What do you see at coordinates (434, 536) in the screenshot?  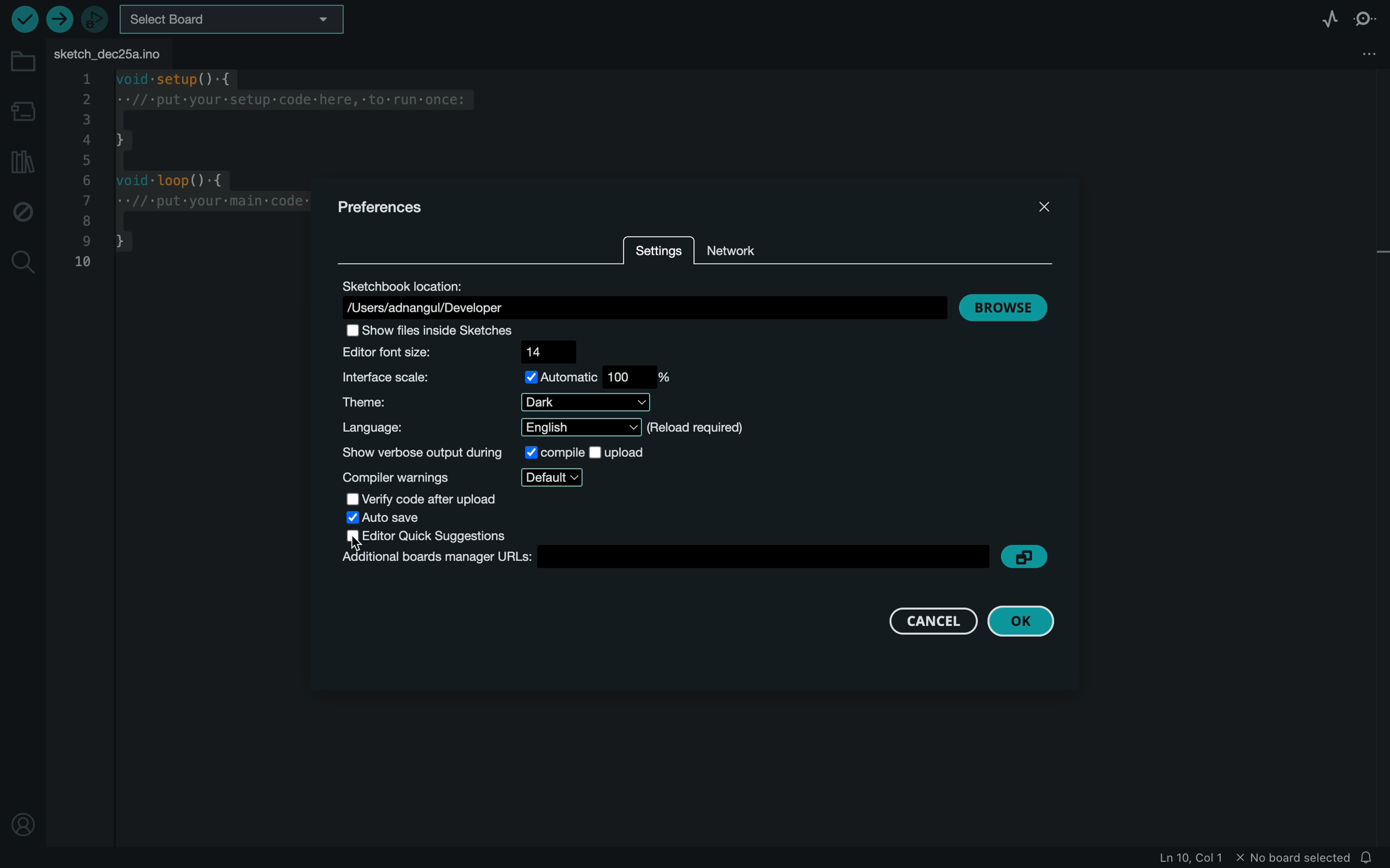 I see `editor  quick` at bounding box center [434, 536].